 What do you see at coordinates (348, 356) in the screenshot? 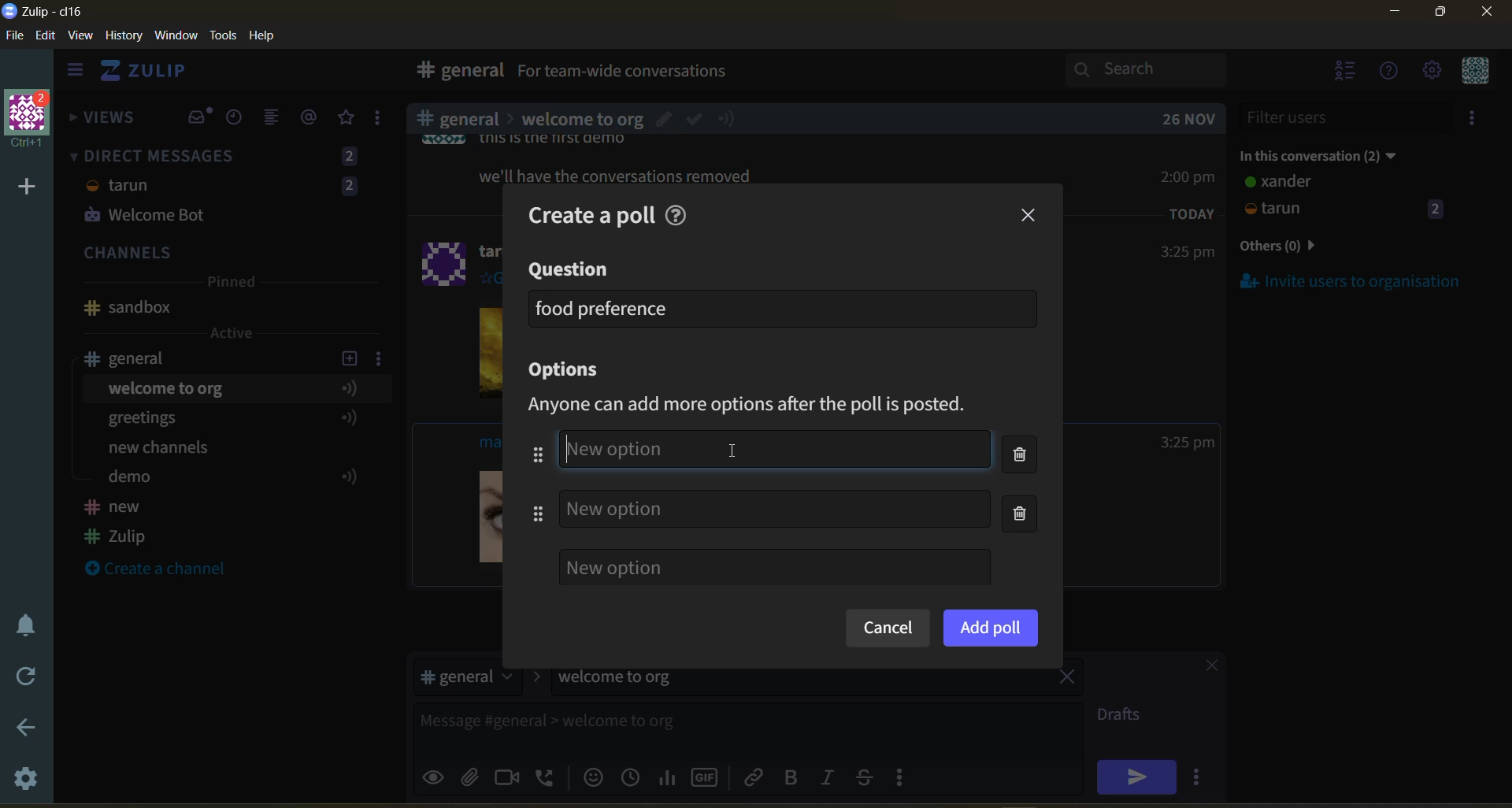
I see `add new topic` at bounding box center [348, 356].